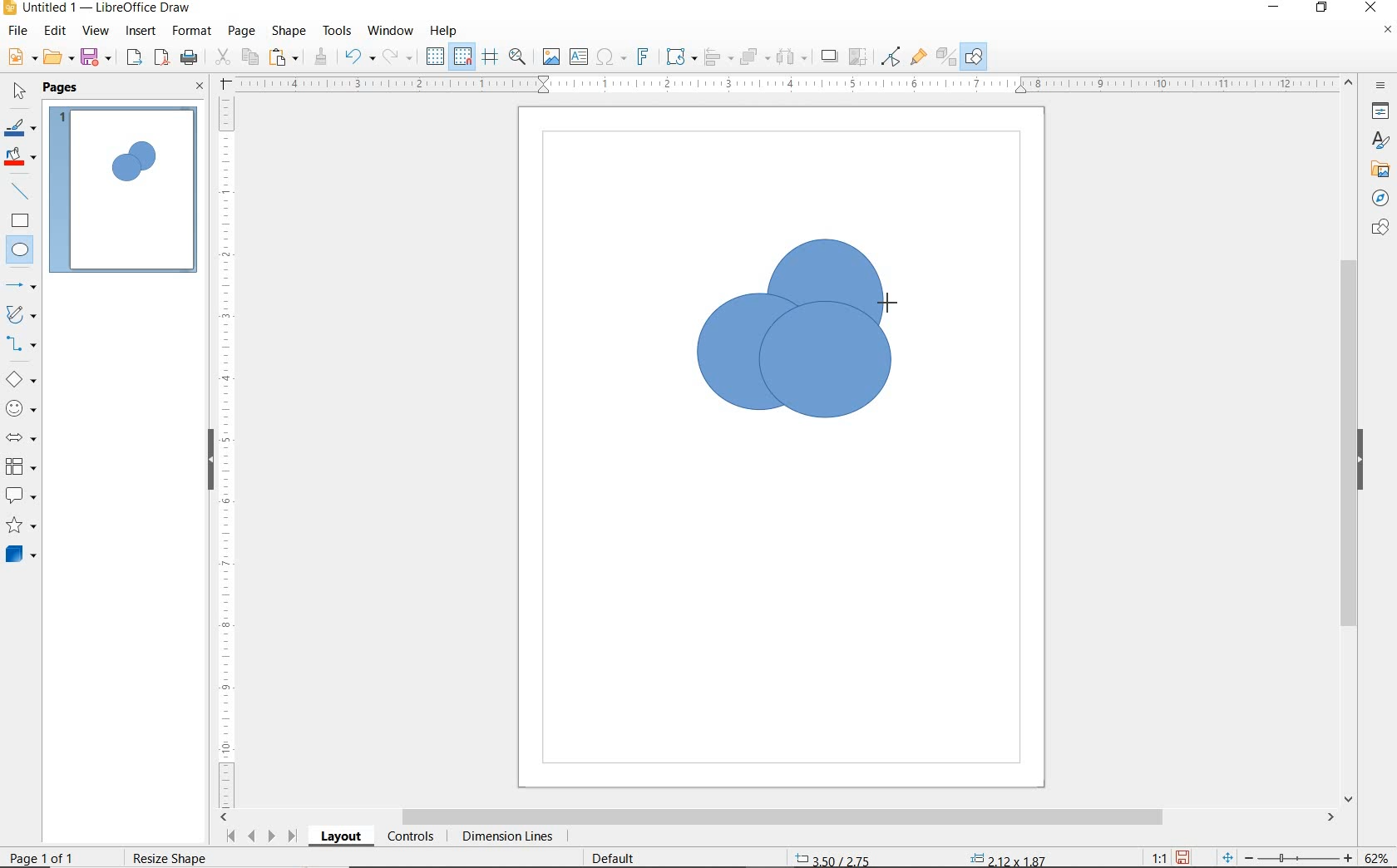 This screenshot has width=1397, height=868. I want to click on SCROLLBAR, so click(1349, 441).